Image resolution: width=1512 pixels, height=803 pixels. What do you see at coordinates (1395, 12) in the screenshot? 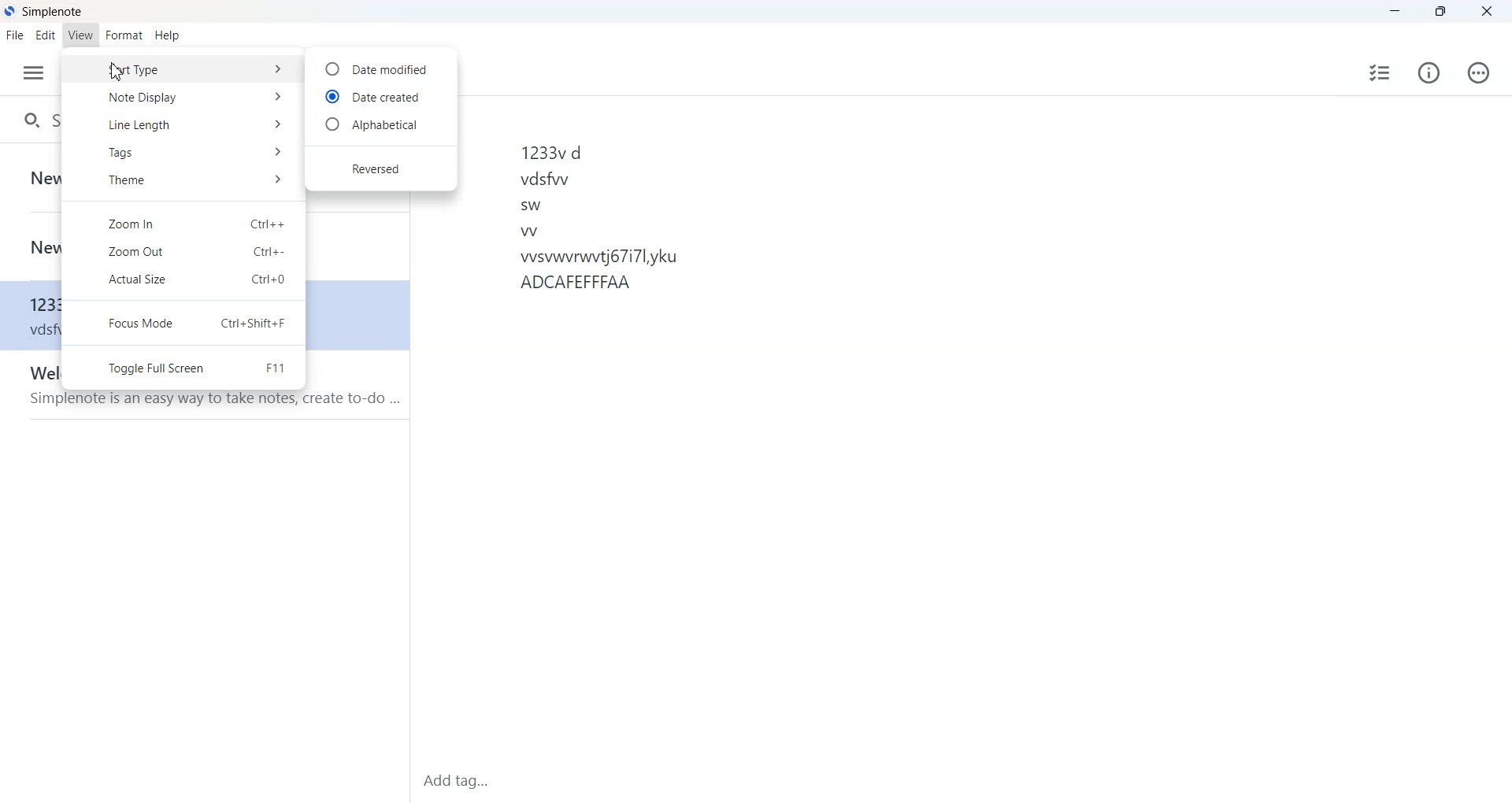
I see `Minimize` at bounding box center [1395, 12].